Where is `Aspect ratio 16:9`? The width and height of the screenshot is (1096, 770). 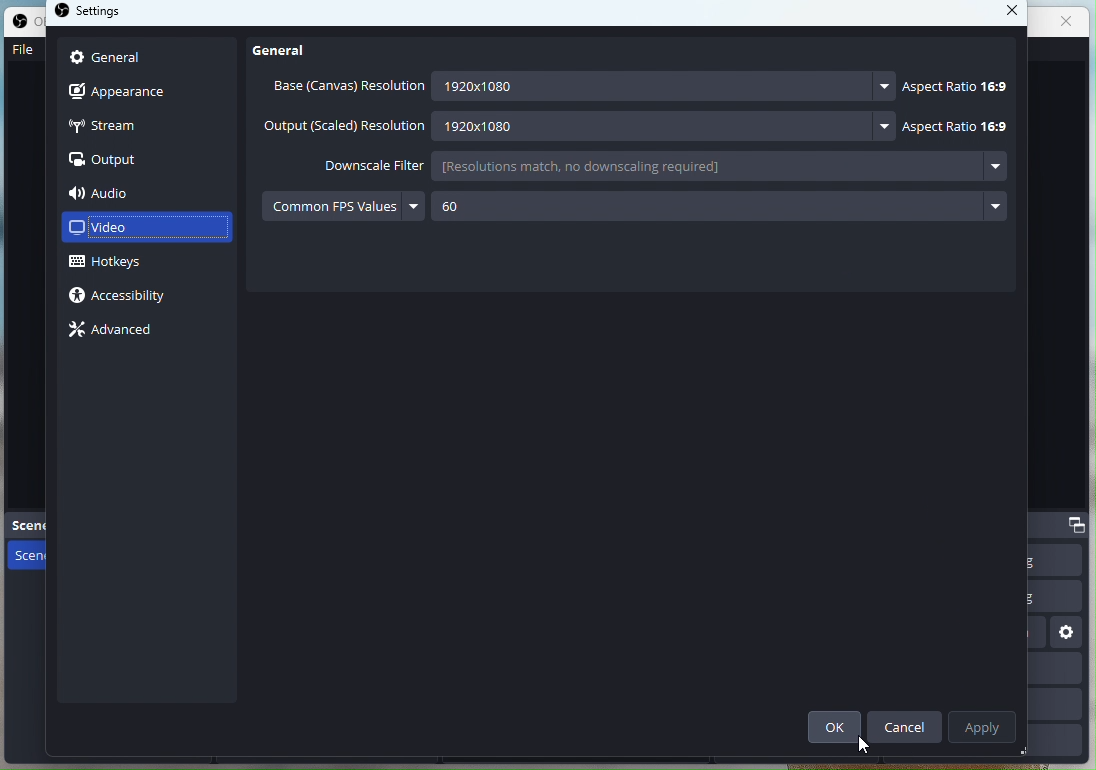 Aspect ratio 16:9 is located at coordinates (956, 126).